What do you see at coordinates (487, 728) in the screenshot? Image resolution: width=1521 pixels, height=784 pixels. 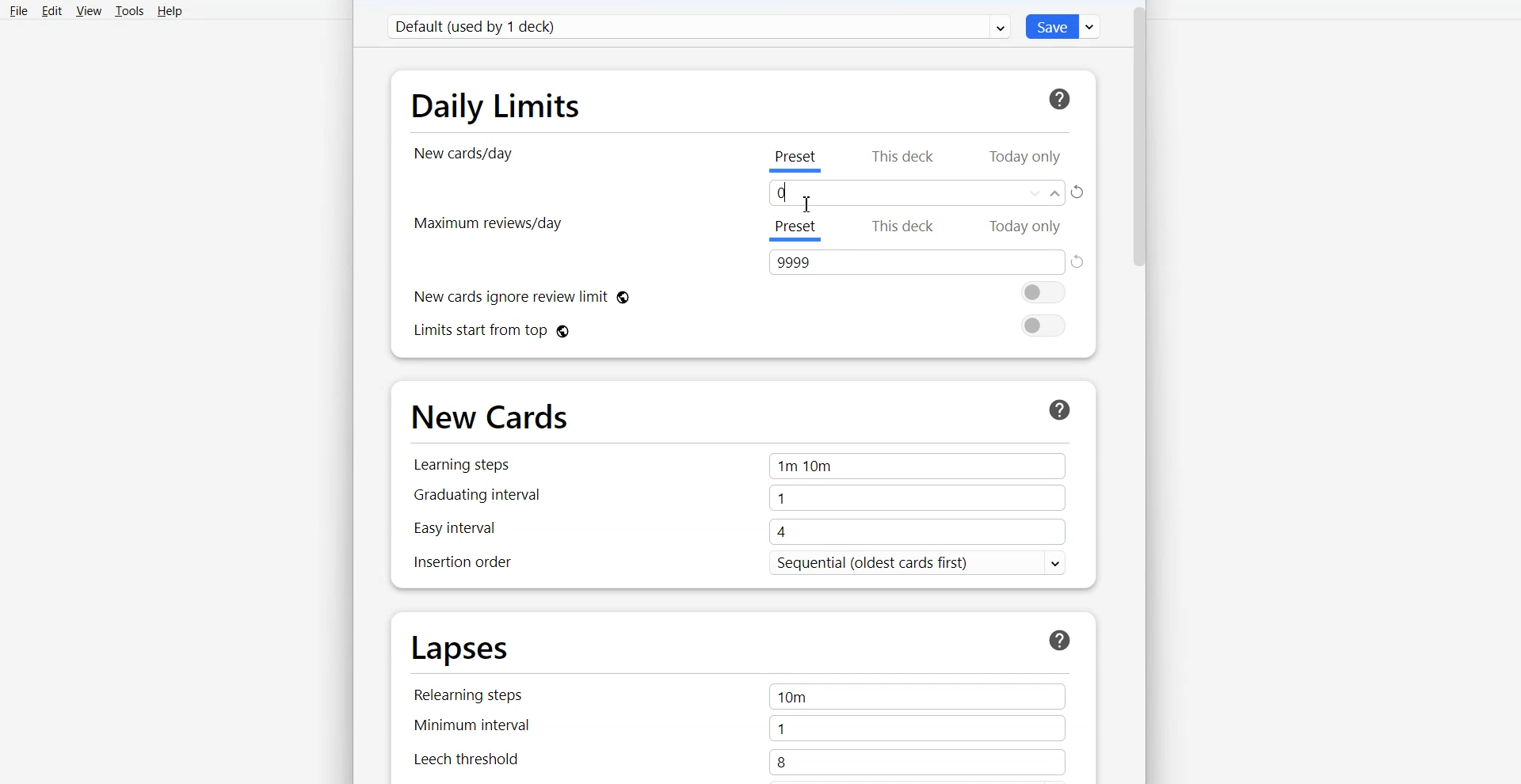 I see `Minimum interval` at bounding box center [487, 728].